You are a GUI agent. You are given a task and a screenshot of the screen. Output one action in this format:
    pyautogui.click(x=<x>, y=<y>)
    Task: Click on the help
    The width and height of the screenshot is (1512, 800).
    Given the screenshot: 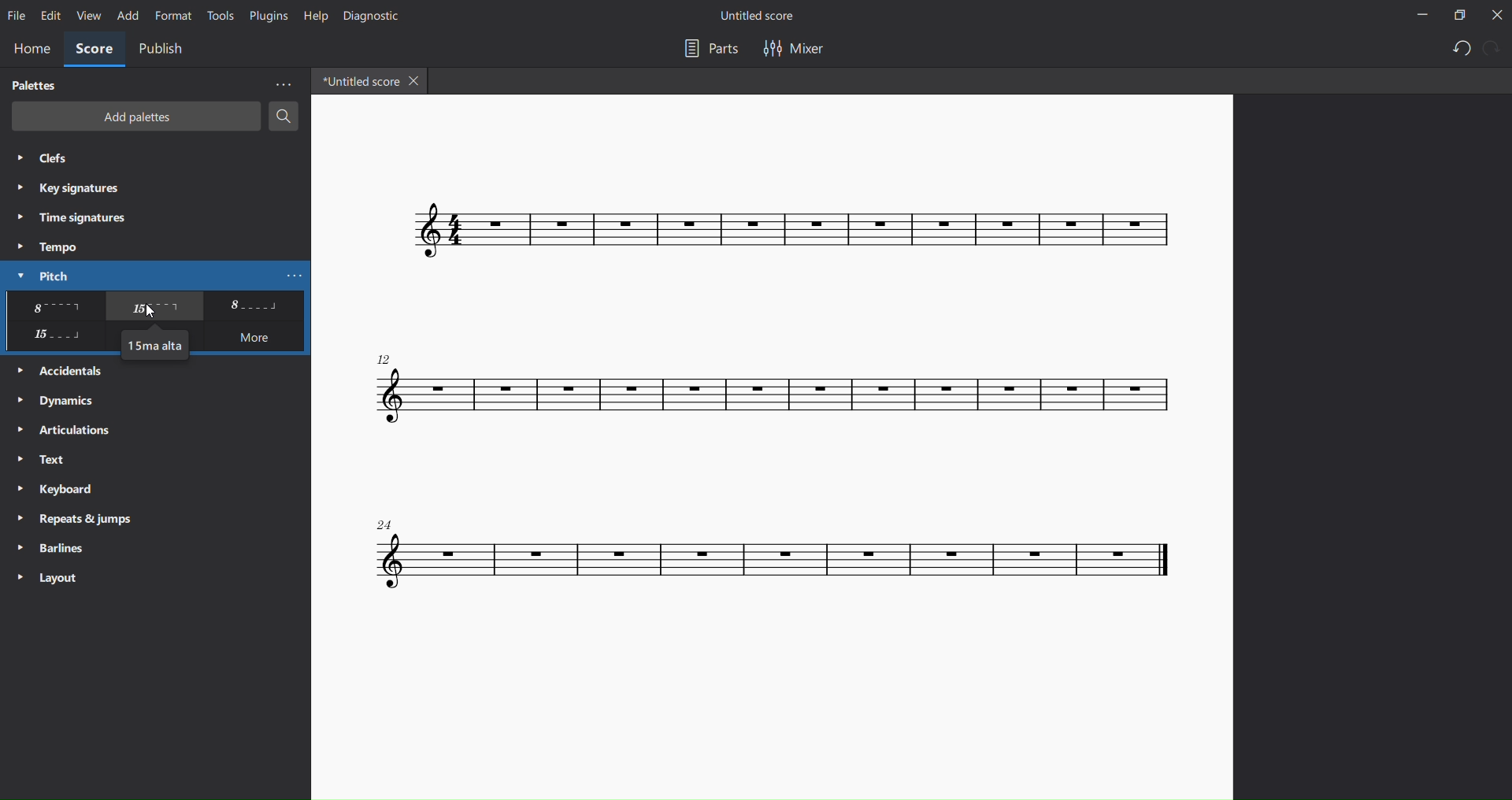 What is the action you would take?
    pyautogui.click(x=315, y=17)
    